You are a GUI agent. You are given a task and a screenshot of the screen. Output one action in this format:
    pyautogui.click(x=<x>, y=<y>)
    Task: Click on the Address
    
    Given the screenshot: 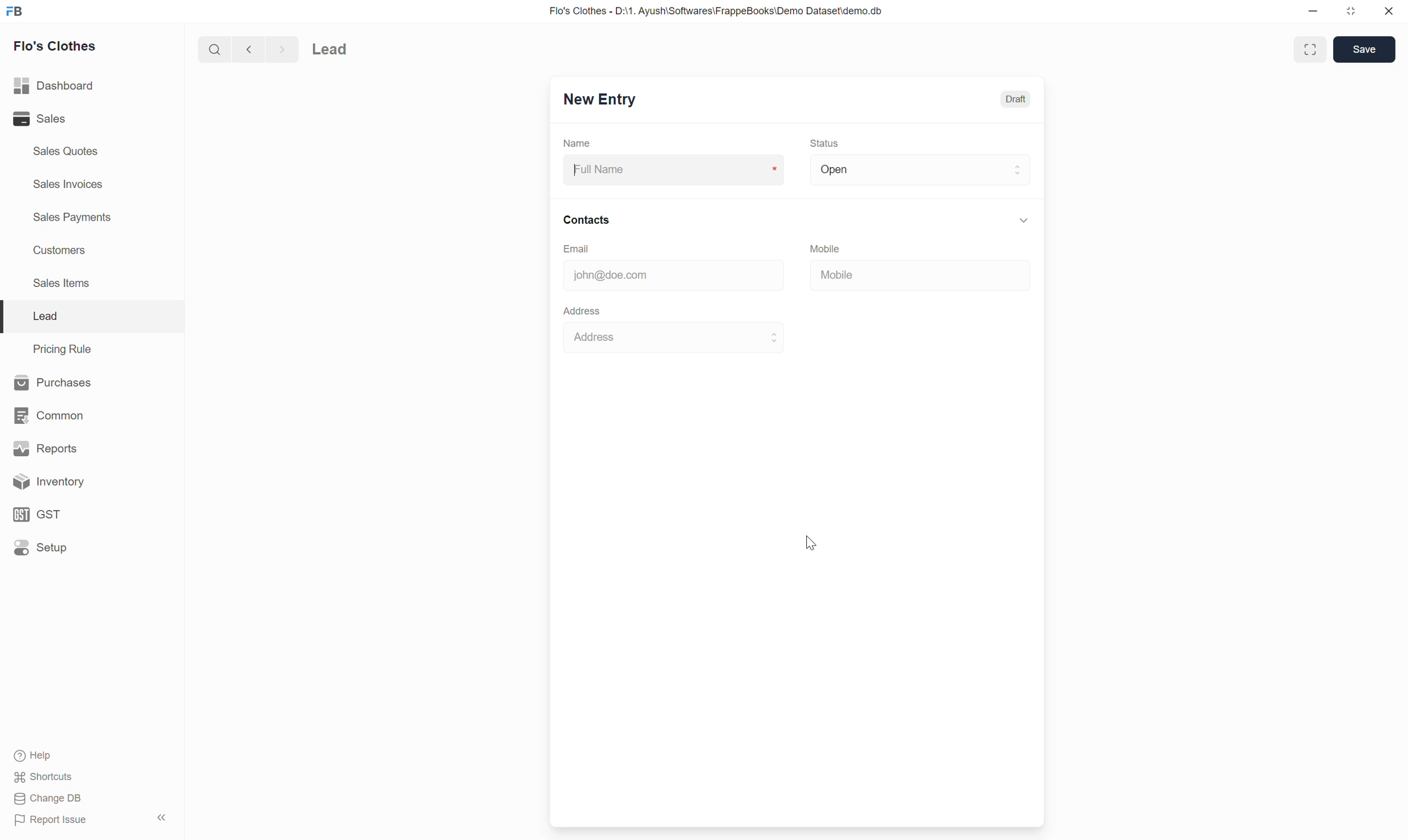 What is the action you would take?
    pyautogui.click(x=580, y=310)
    